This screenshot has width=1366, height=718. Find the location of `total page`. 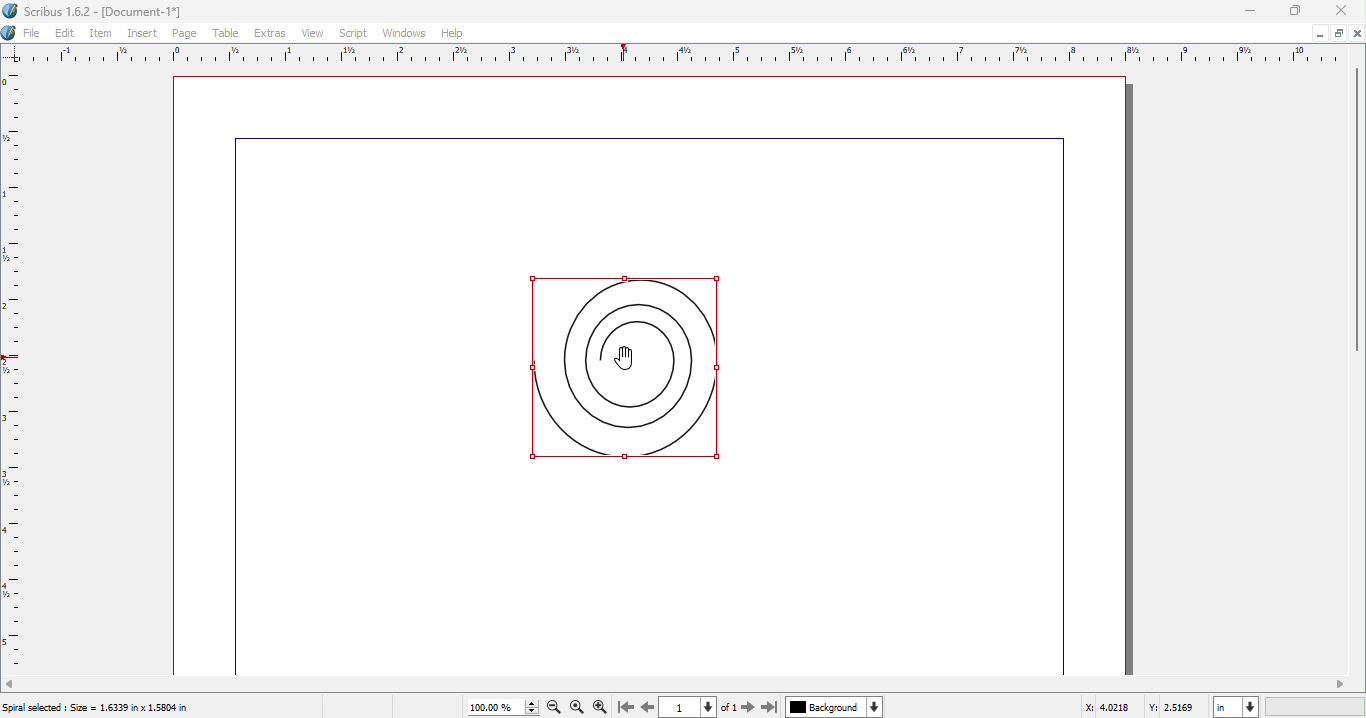

total page is located at coordinates (729, 707).